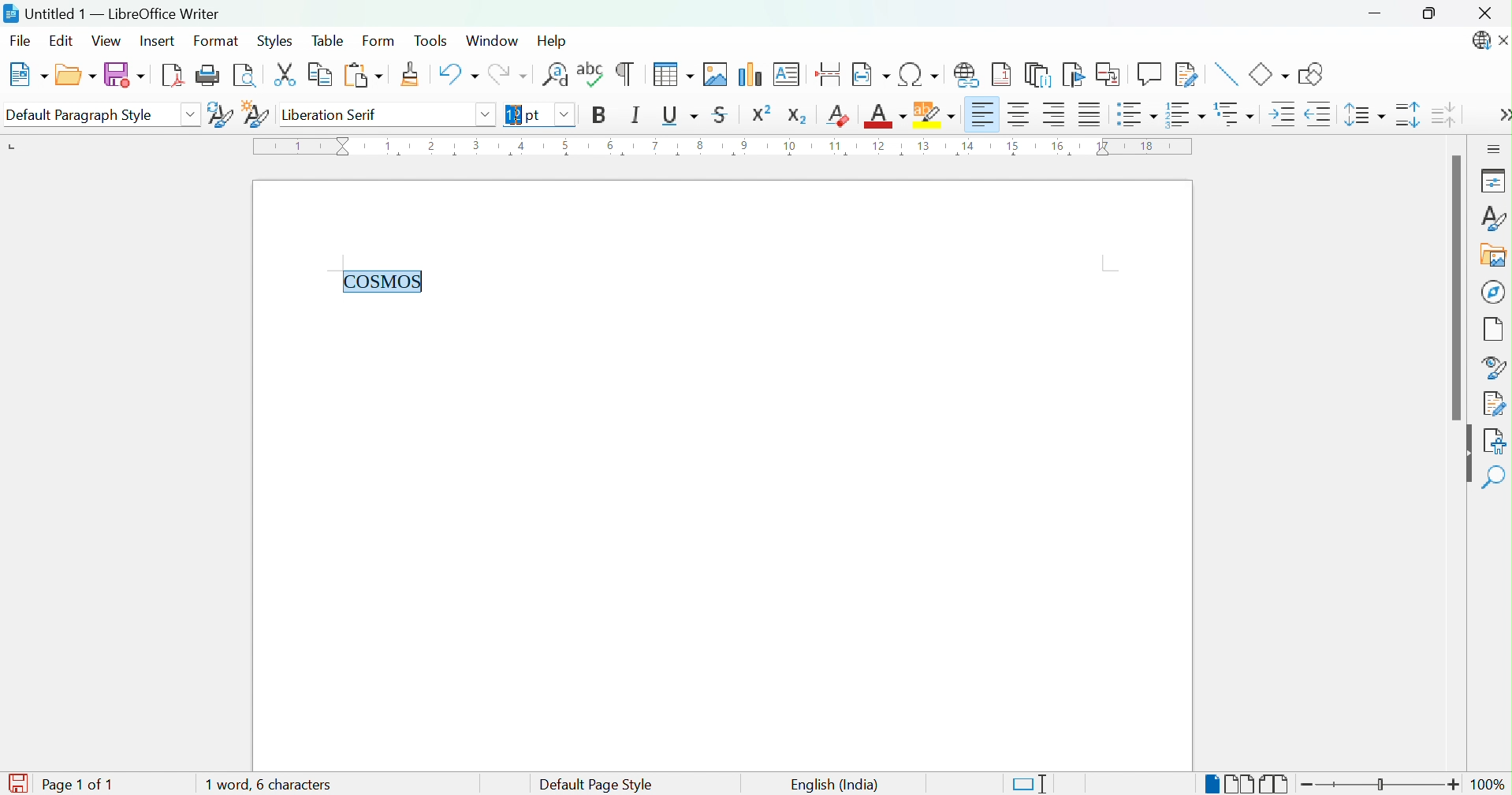 The image size is (1512, 795). I want to click on Insert Field, so click(869, 73).